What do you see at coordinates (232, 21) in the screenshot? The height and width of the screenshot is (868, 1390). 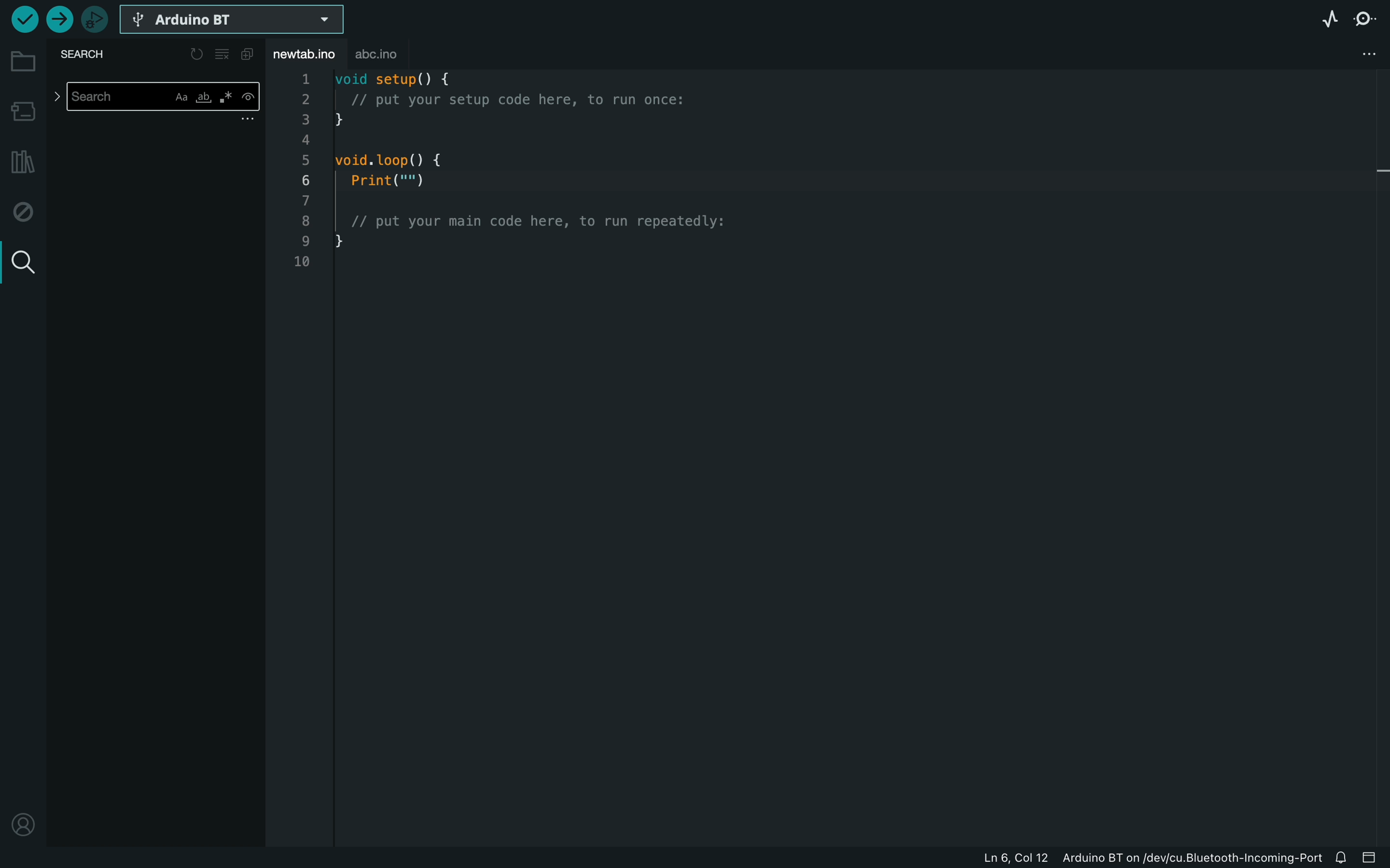 I see `select board` at bounding box center [232, 21].